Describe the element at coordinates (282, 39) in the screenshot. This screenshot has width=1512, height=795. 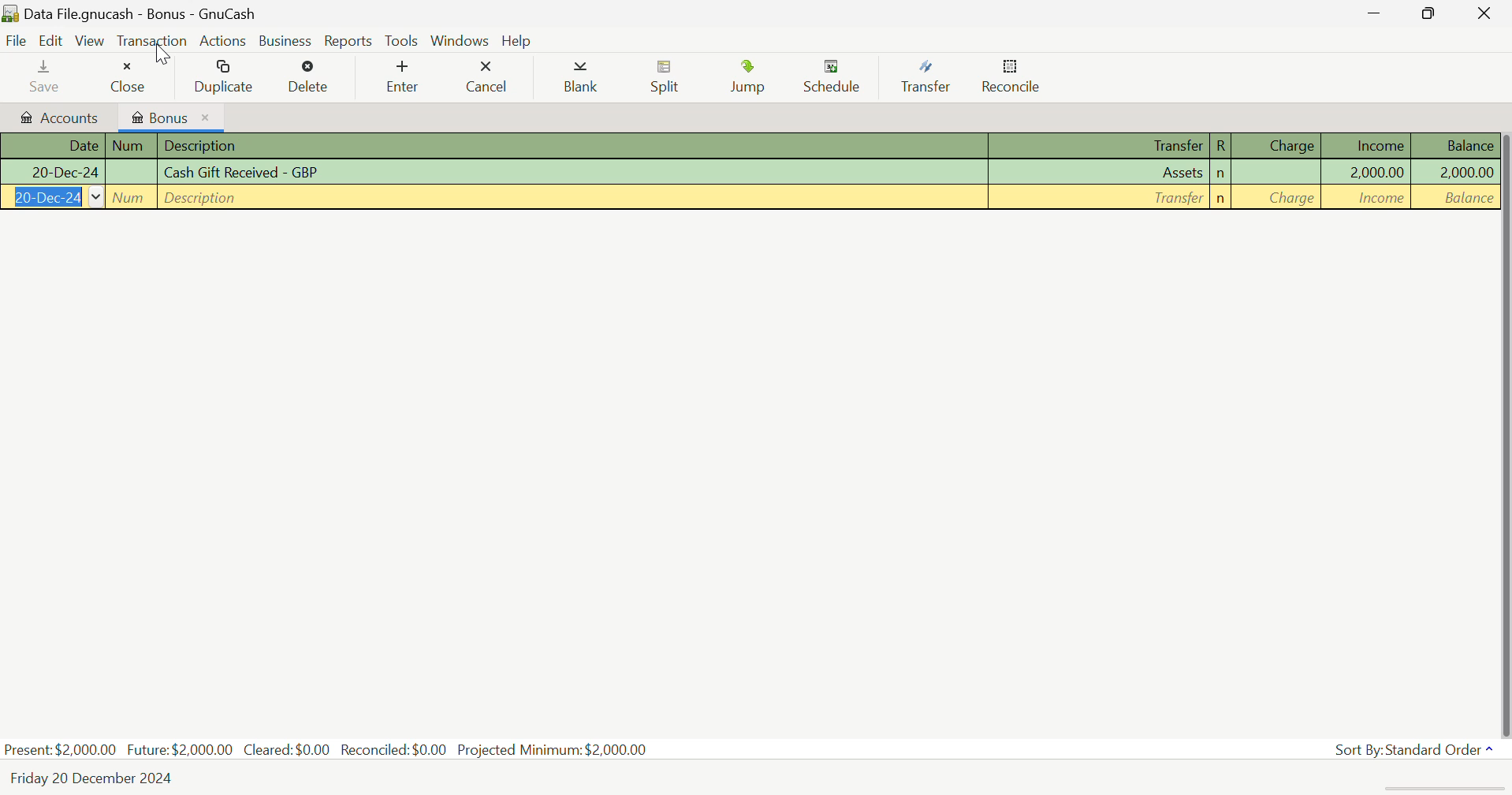
I see `Business` at that location.